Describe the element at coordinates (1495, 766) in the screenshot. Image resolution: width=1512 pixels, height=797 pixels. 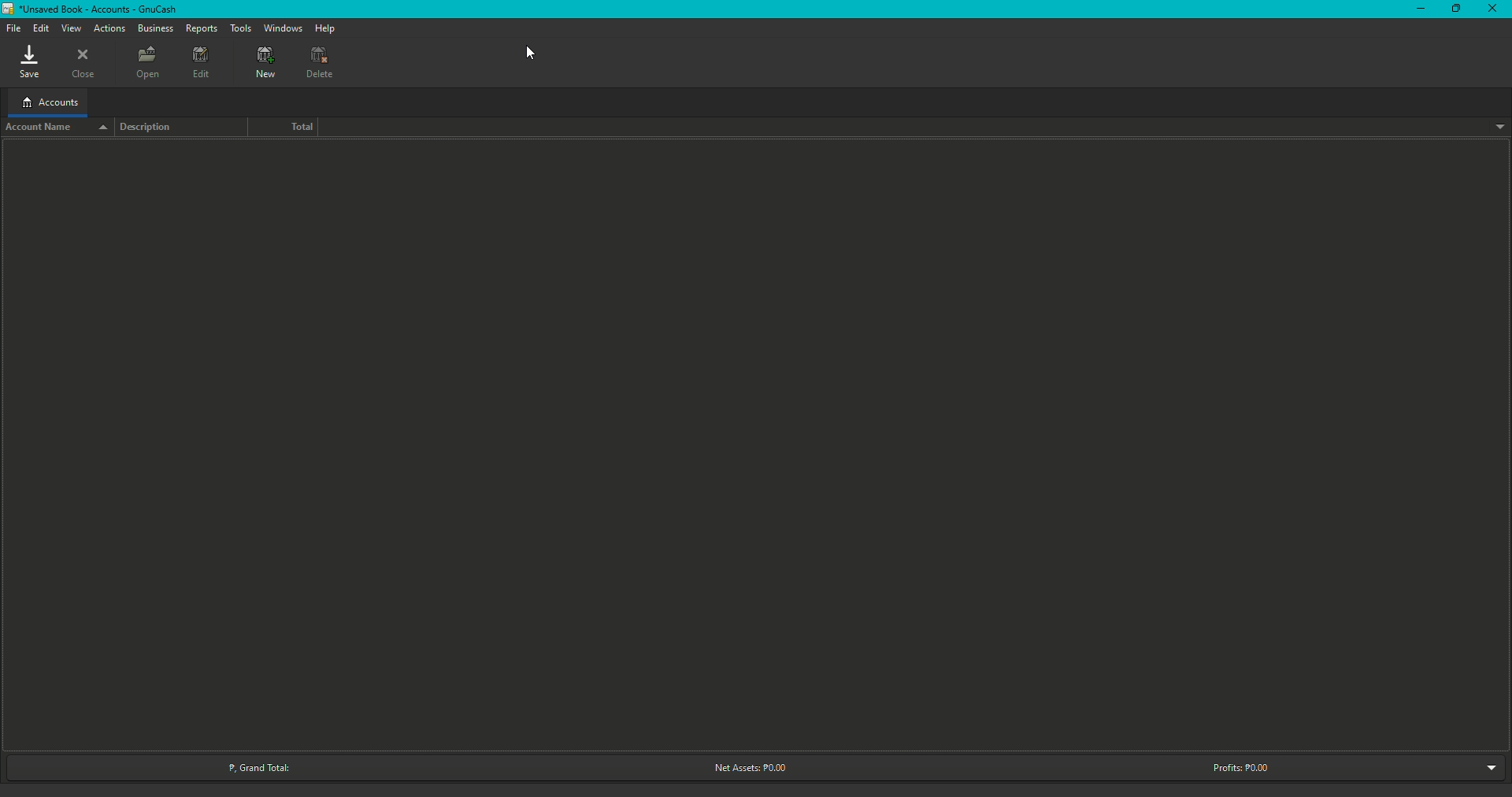
I see `Drop down` at that location.